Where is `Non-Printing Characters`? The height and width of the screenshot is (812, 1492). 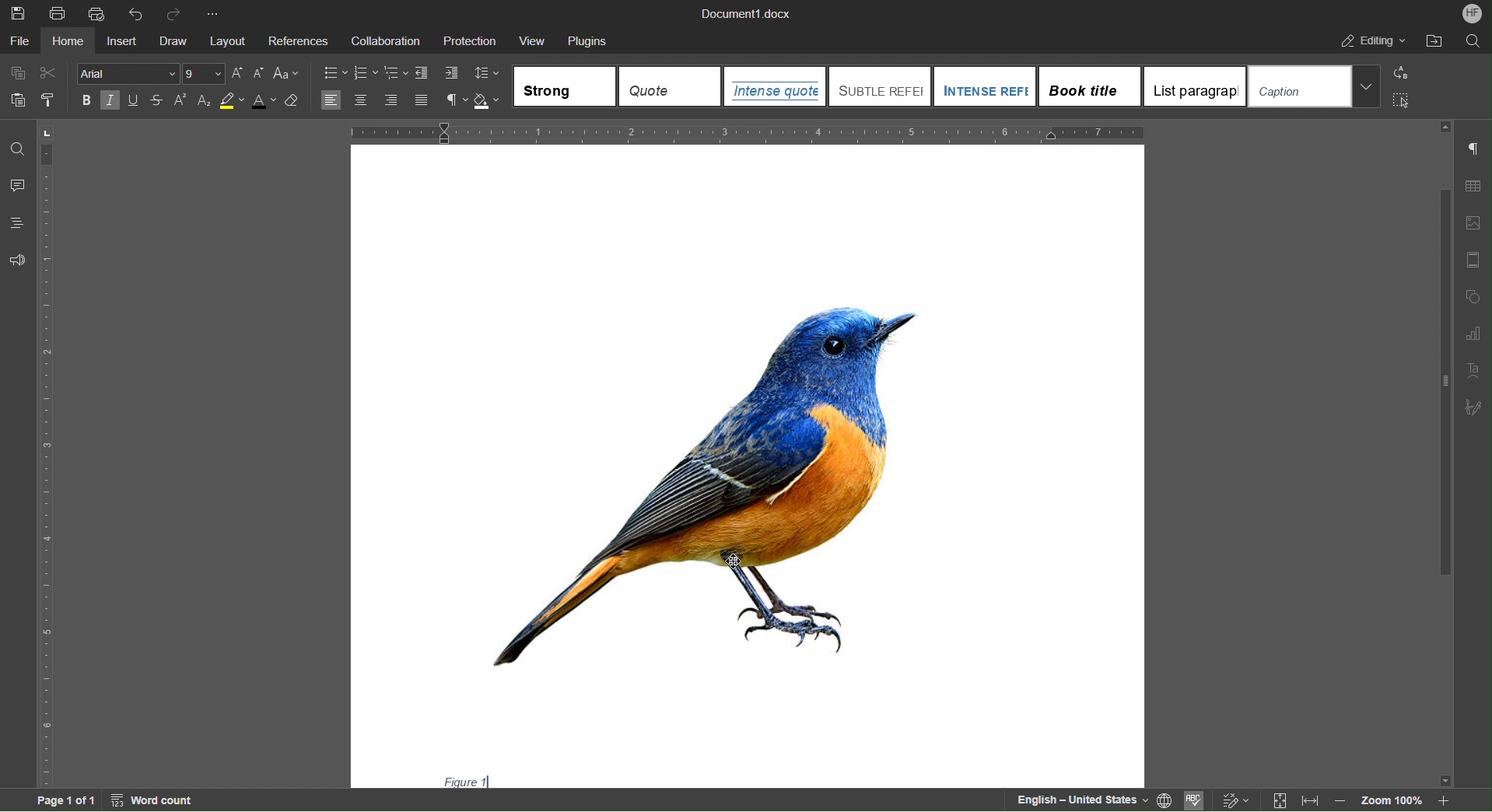
Non-Printing Characters is located at coordinates (454, 101).